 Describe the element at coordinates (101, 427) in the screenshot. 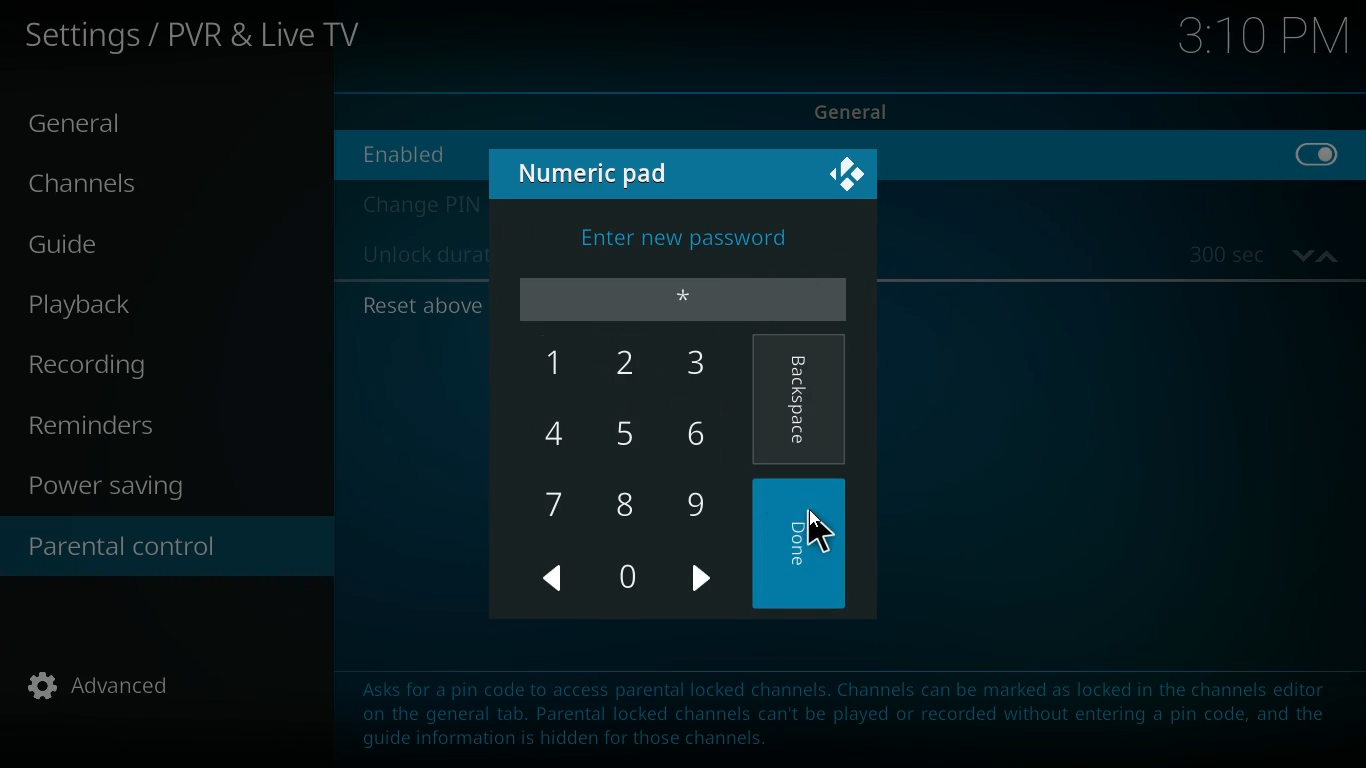

I see `reminders` at that location.